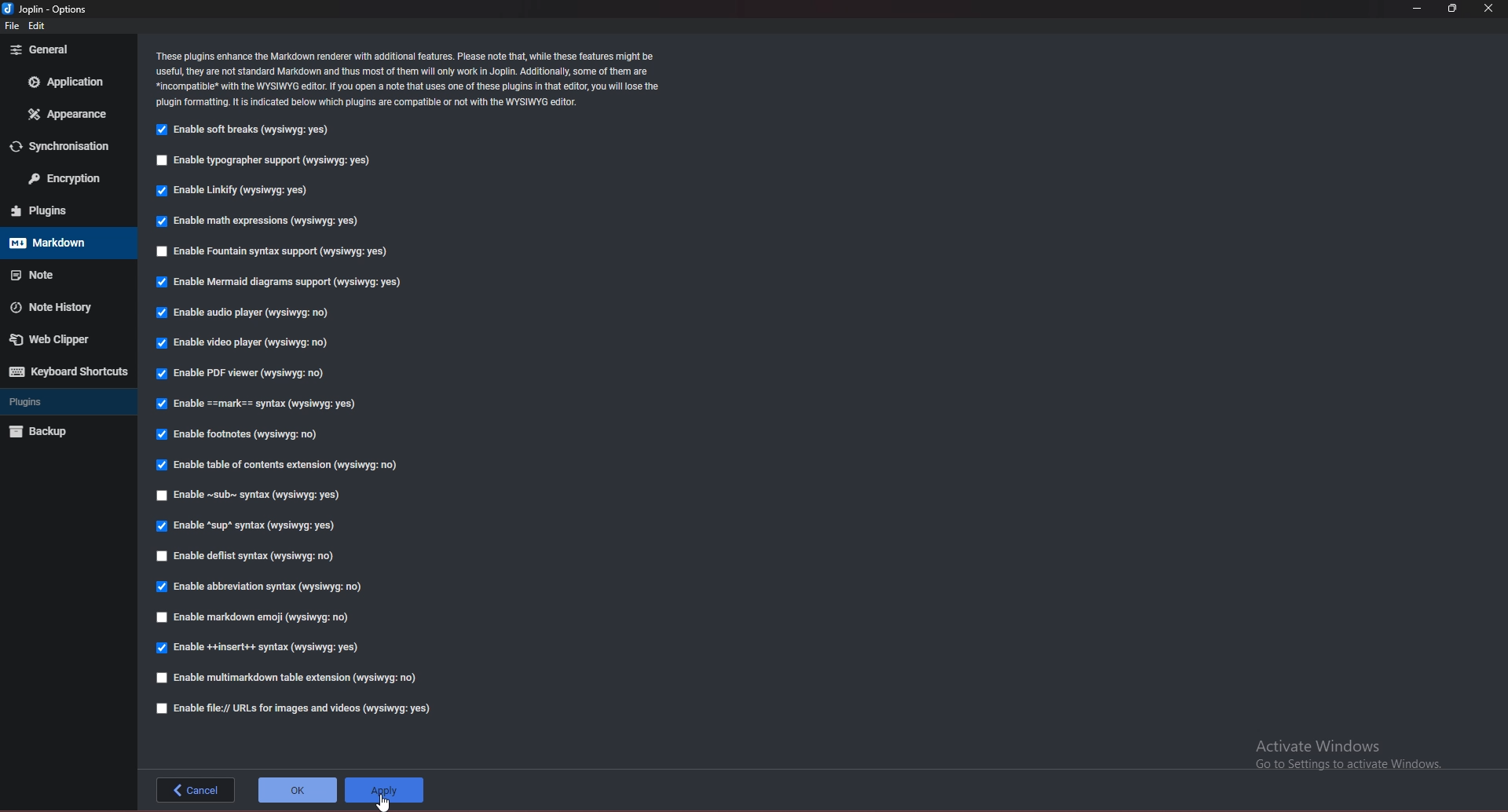  What do you see at coordinates (408, 79) in the screenshot?
I see `info` at bounding box center [408, 79].